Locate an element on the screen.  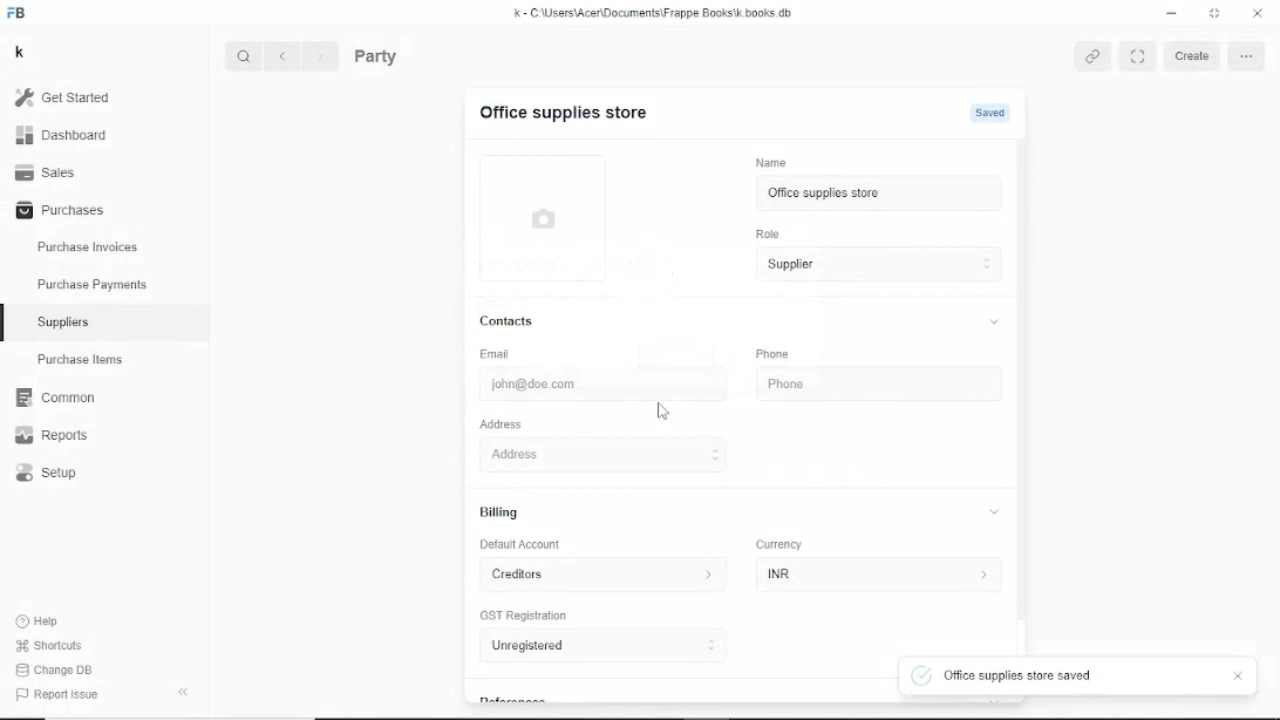
k is located at coordinates (19, 52).